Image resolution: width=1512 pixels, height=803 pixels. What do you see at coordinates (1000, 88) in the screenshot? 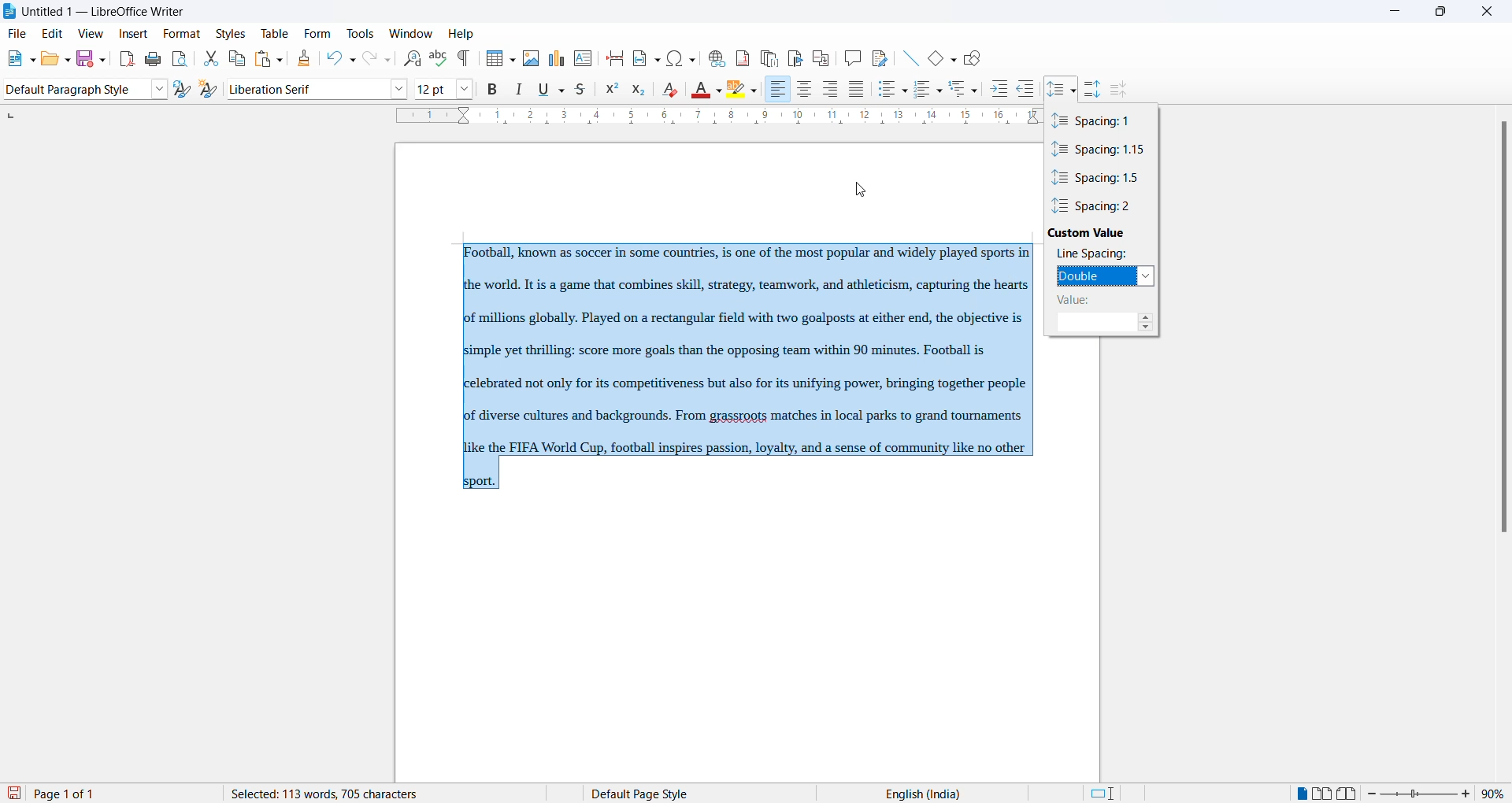
I see `increase indent` at bounding box center [1000, 88].